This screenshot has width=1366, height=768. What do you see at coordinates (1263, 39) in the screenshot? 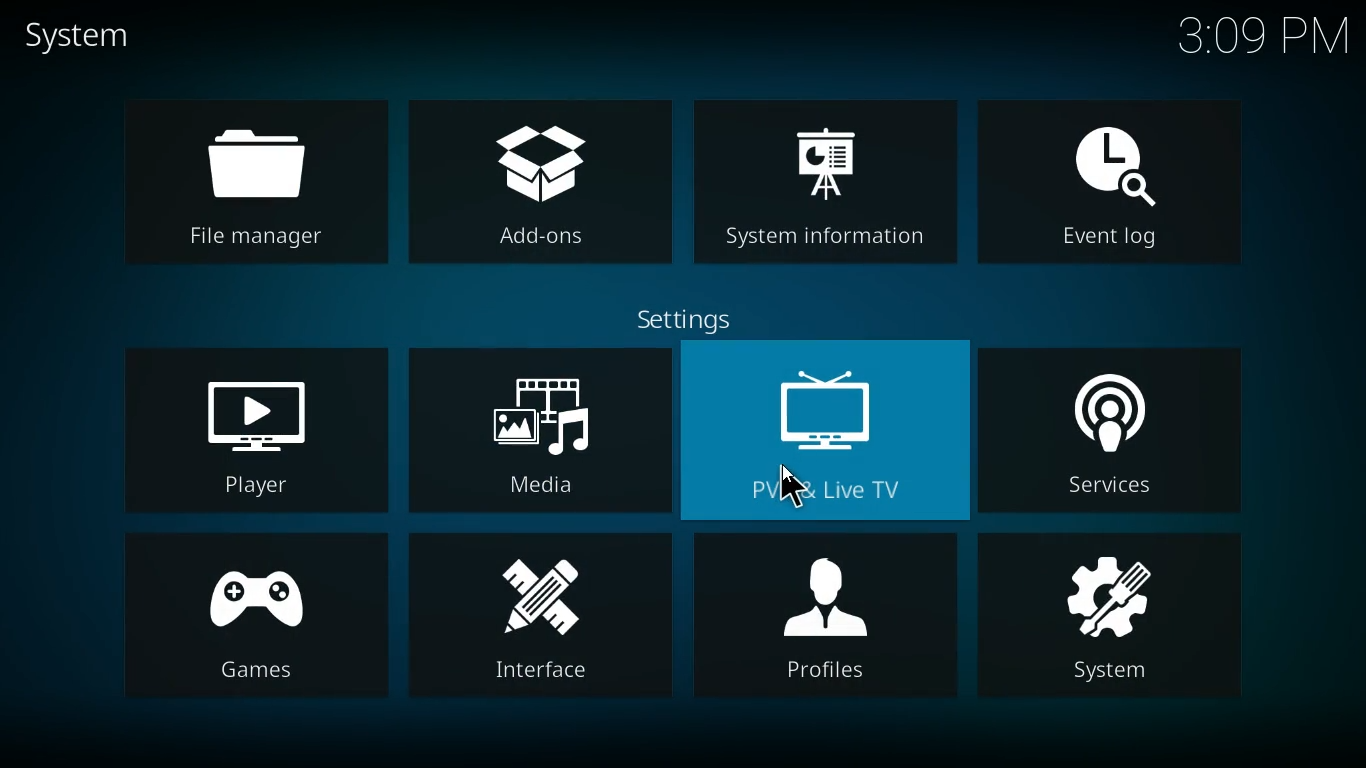
I see `time` at bounding box center [1263, 39].